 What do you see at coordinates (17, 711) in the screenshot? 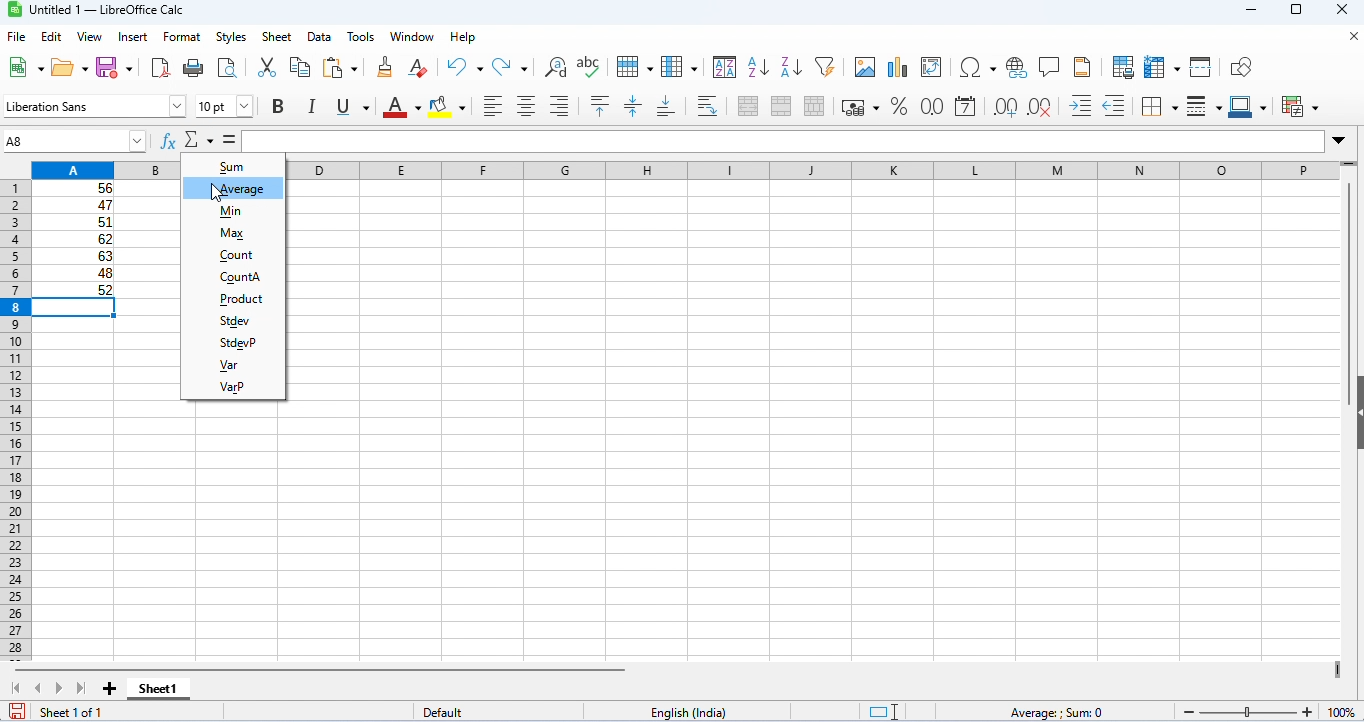
I see `save` at bounding box center [17, 711].